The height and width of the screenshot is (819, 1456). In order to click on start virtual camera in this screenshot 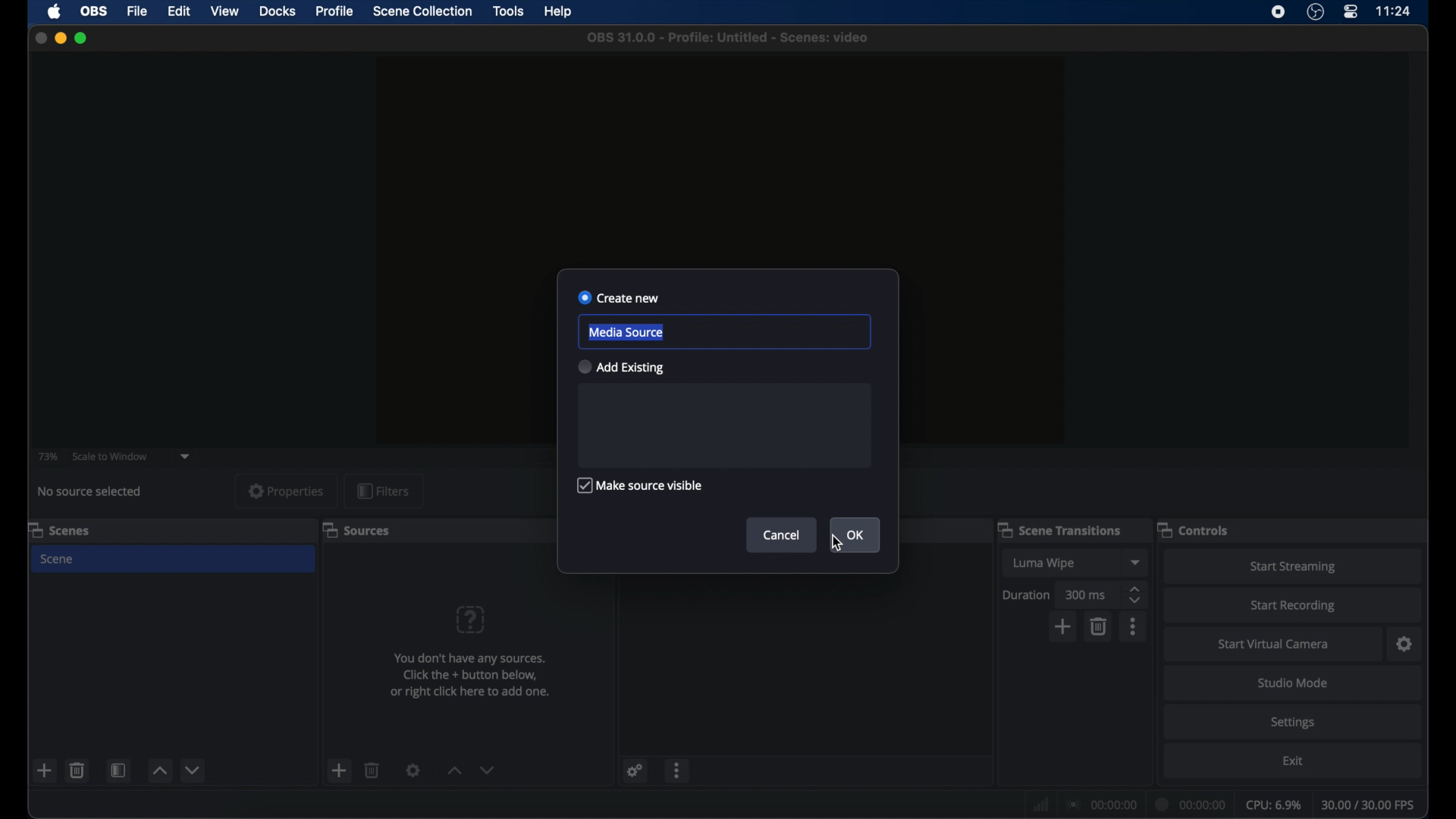, I will do `click(1272, 645)`.